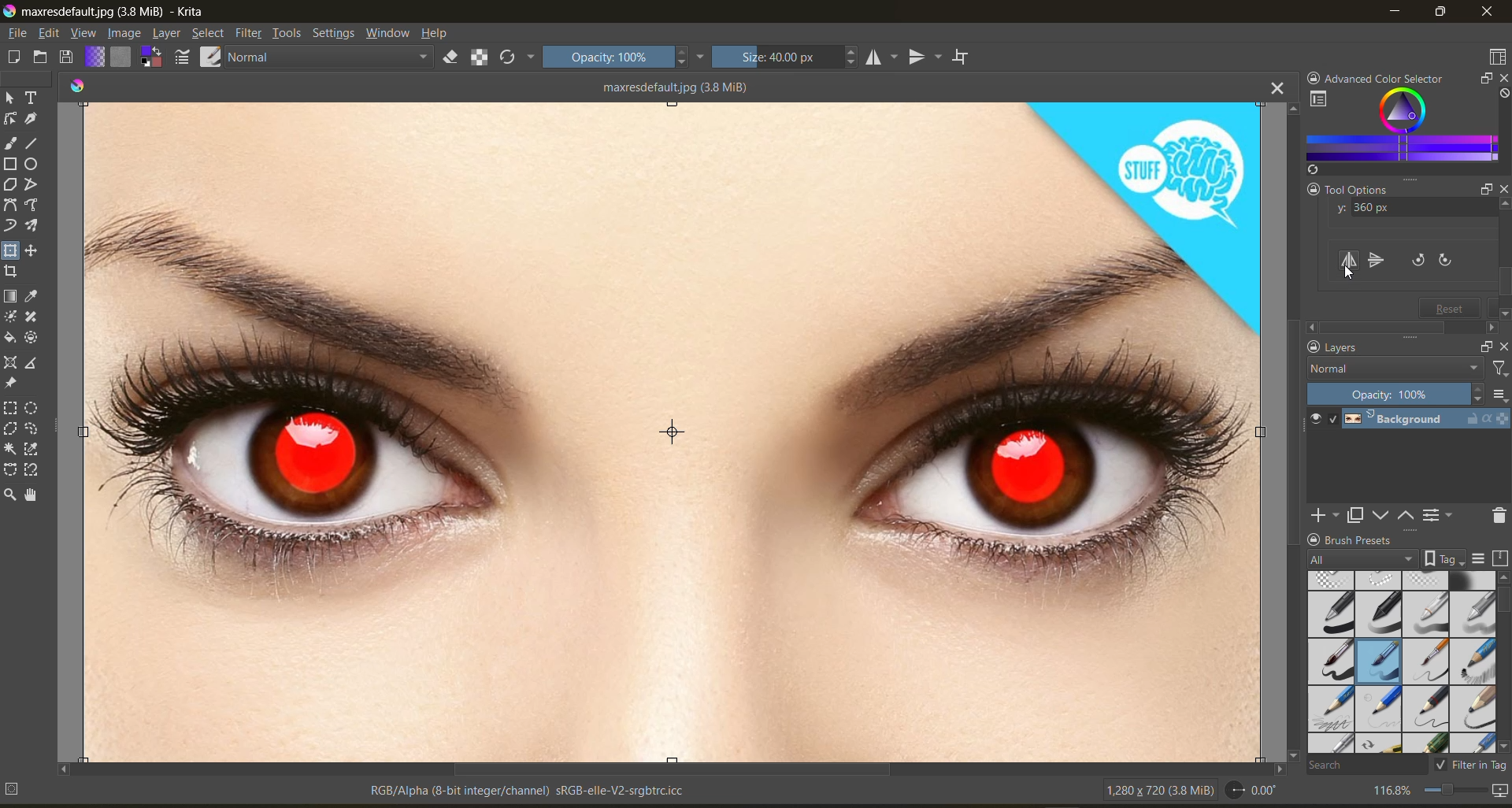  Describe the element at coordinates (458, 58) in the screenshot. I see `set eraser mode` at that location.